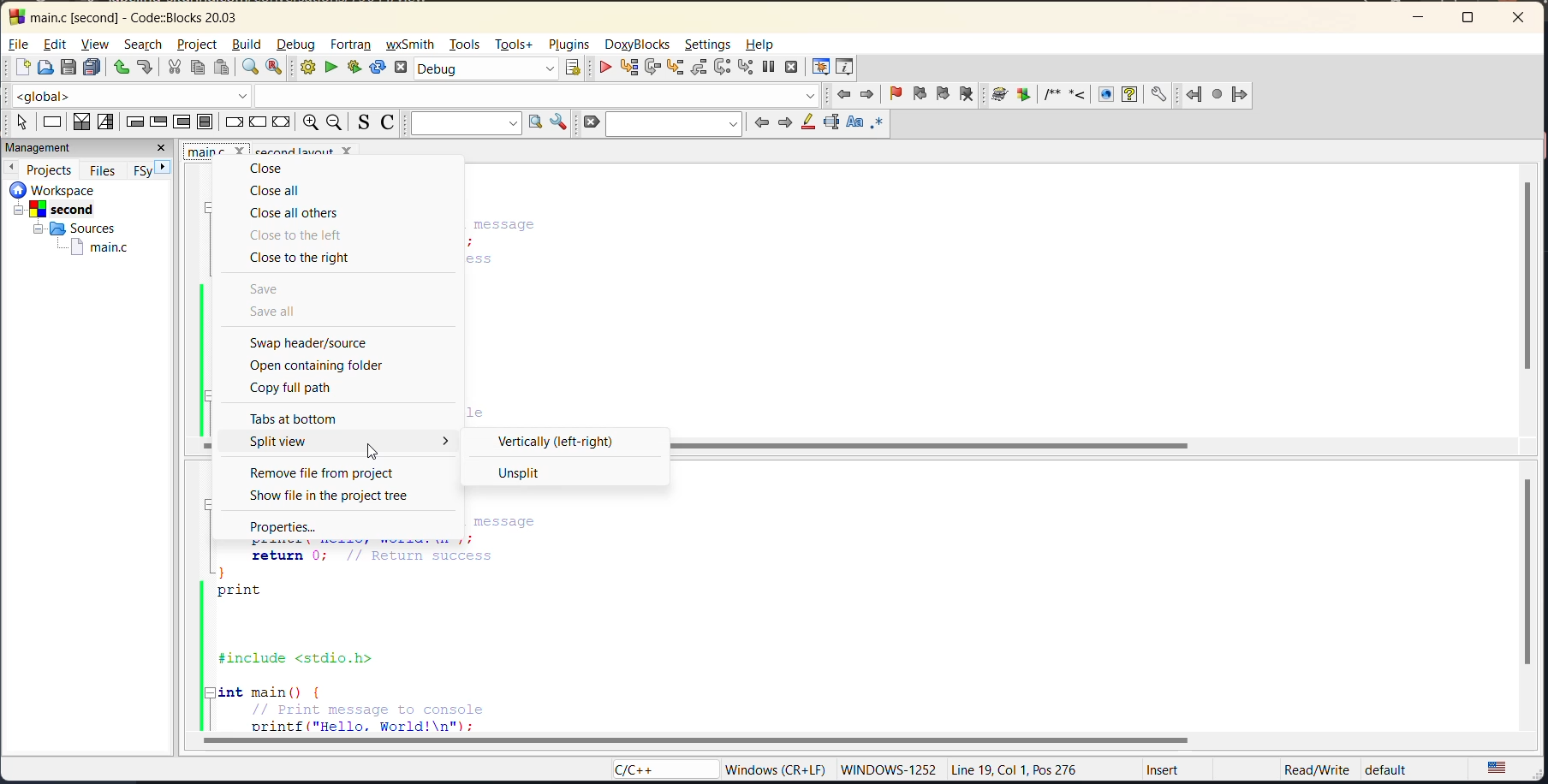 Image resolution: width=1548 pixels, height=784 pixels. Describe the element at coordinates (80, 122) in the screenshot. I see `decision` at that location.